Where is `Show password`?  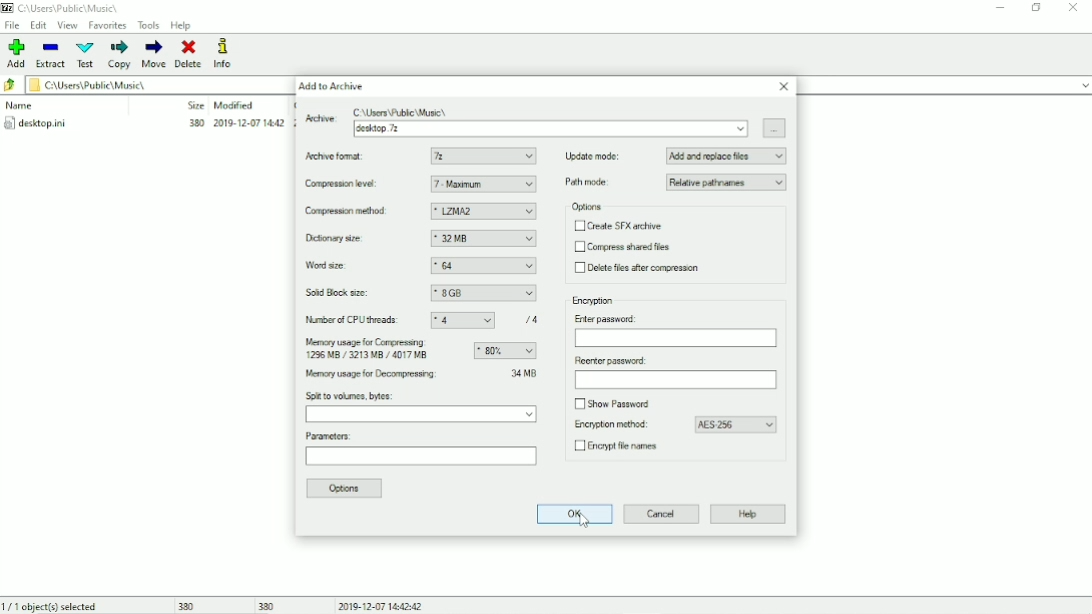
Show password is located at coordinates (616, 404).